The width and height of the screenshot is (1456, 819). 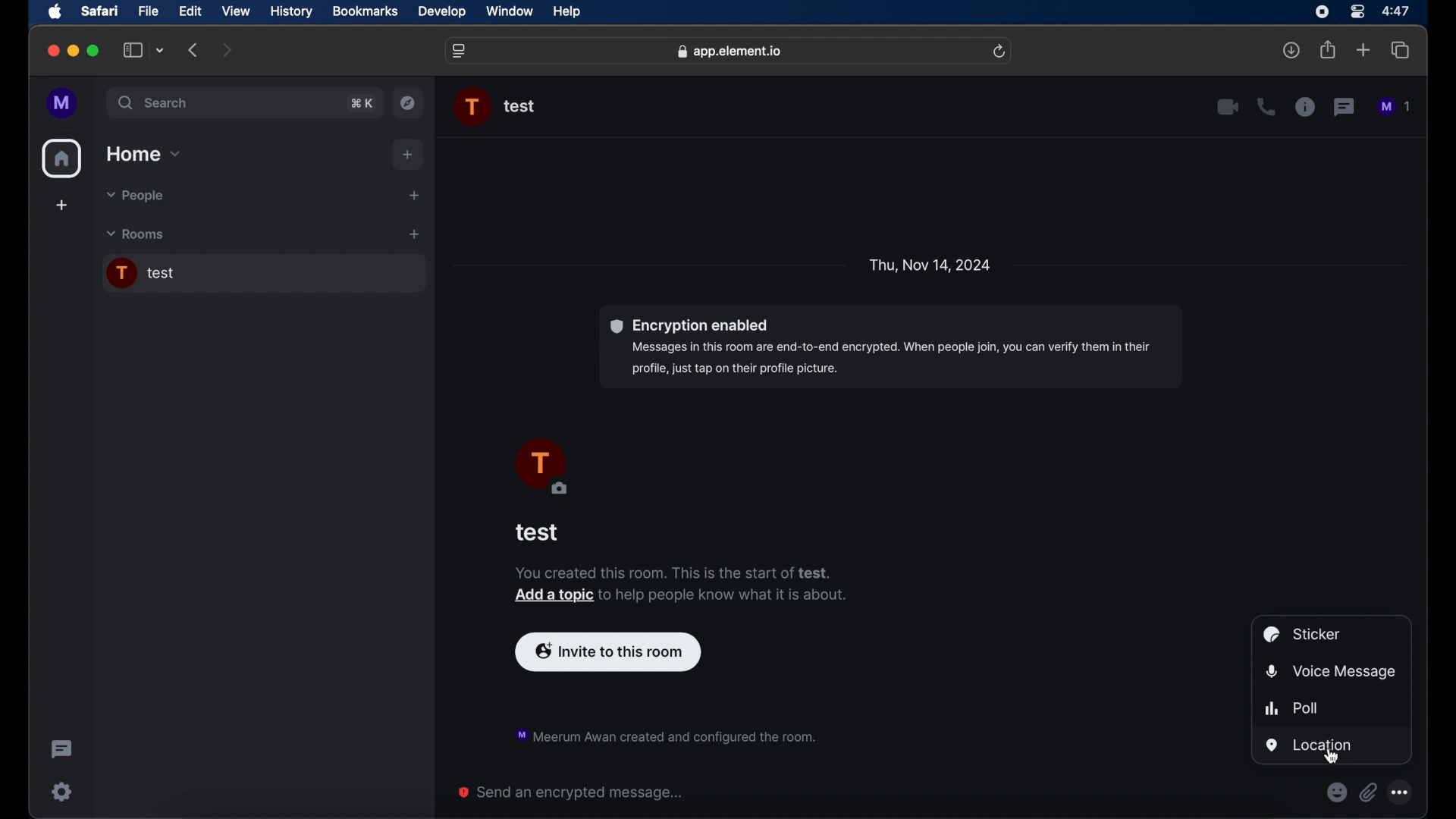 What do you see at coordinates (1304, 634) in the screenshot?
I see `sticker` at bounding box center [1304, 634].